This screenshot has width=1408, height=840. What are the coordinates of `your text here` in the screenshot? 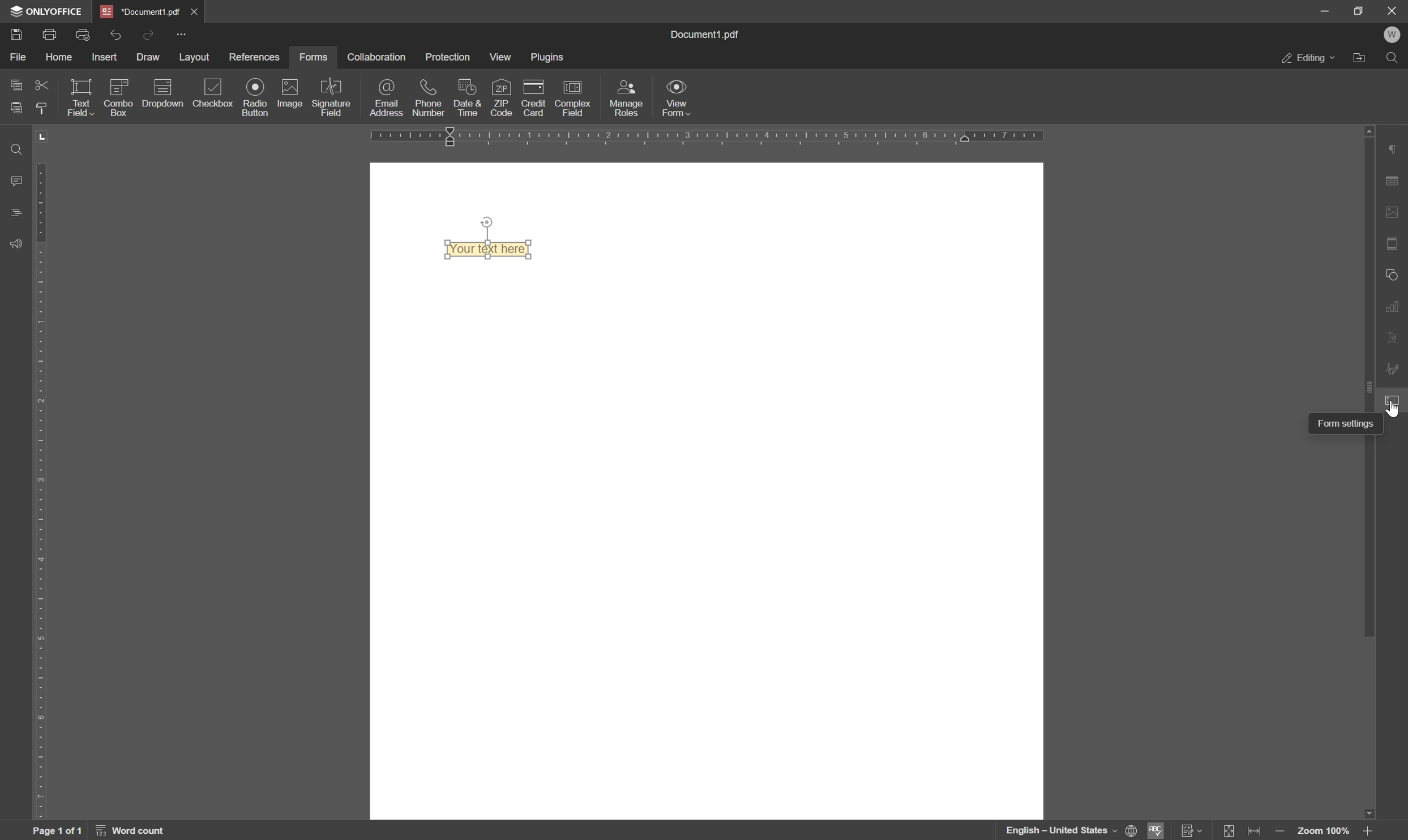 It's located at (489, 248).